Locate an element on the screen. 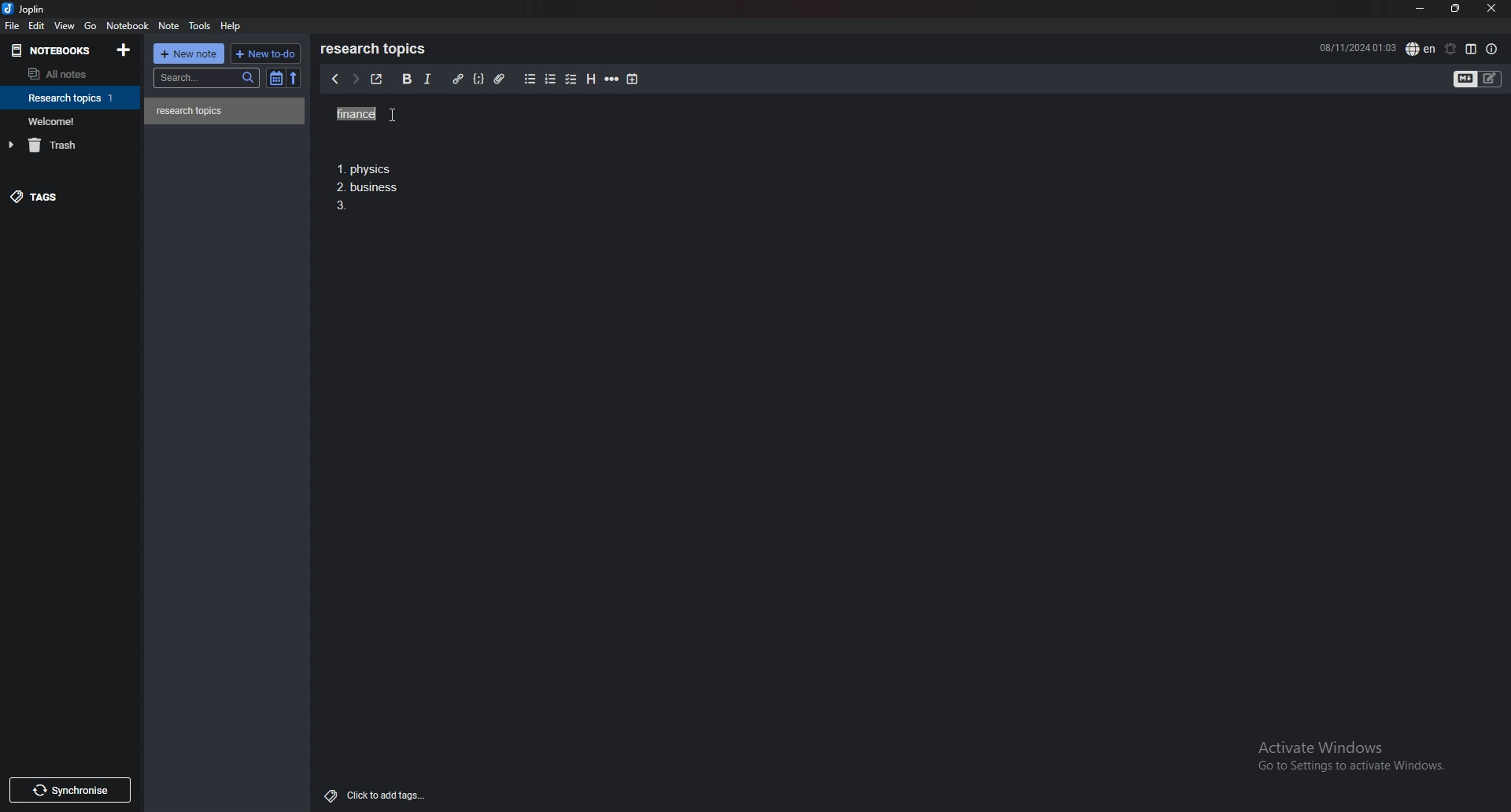 This screenshot has height=812, width=1511. previous is located at coordinates (335, 80).